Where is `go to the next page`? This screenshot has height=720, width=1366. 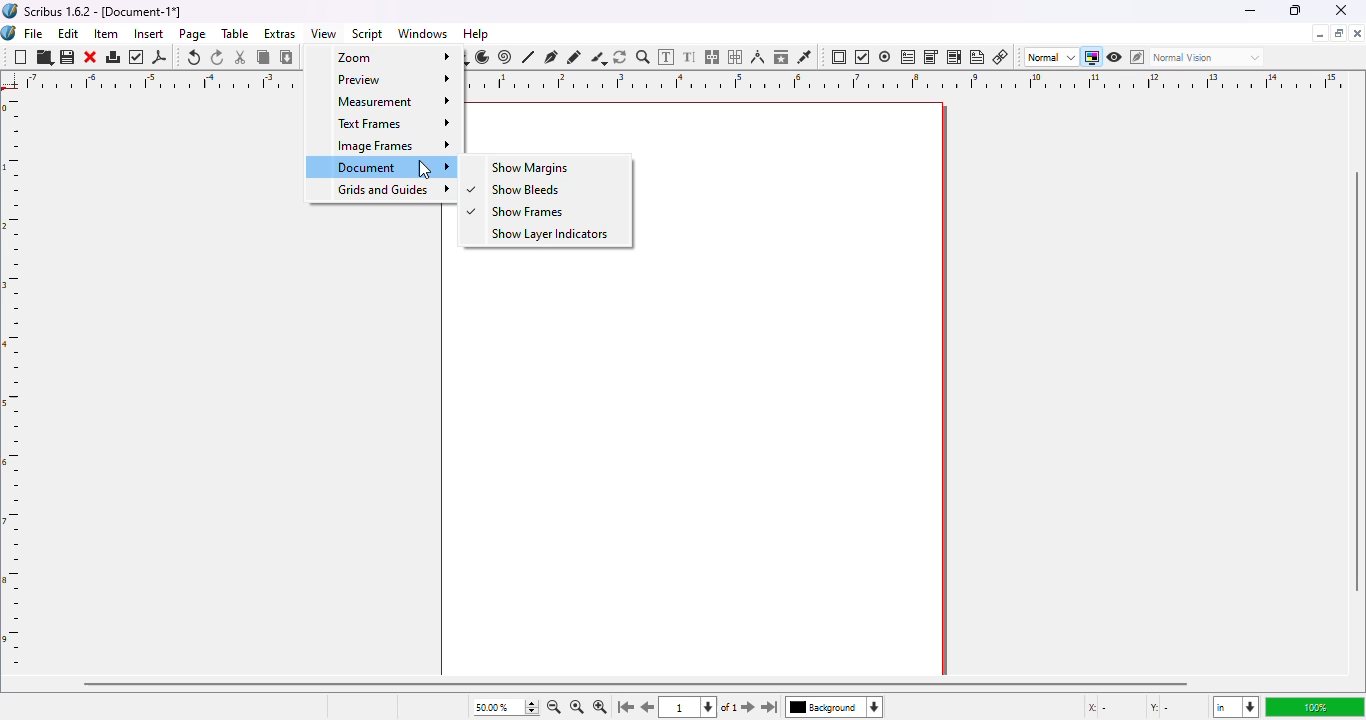
go to the next page is located at coordinates (748, 705).